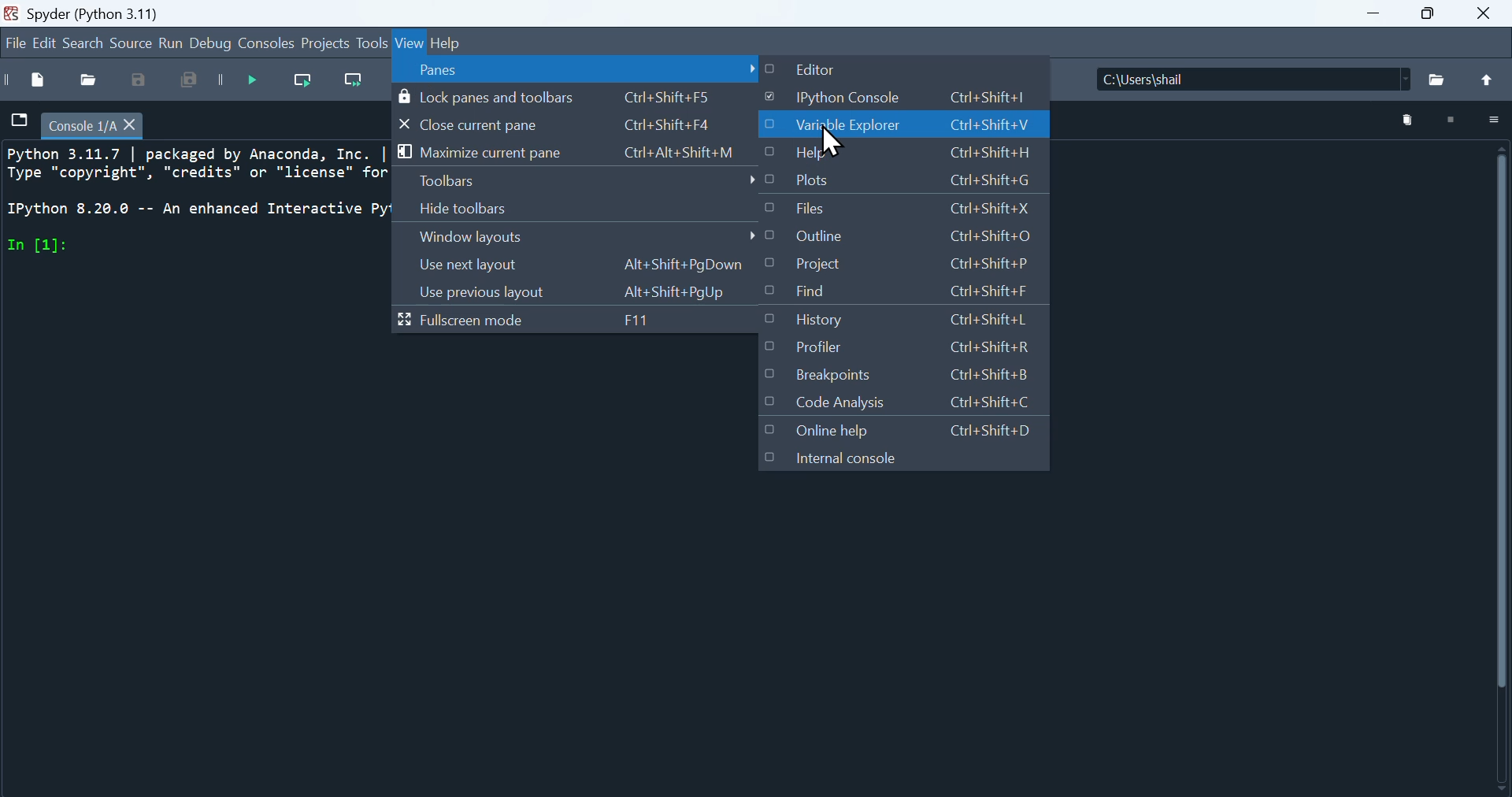 The width and height of the screenshot is (1512, 797). What do you see at coordinates (369, 44) in the screenshot?
I see `Tools` at bounding box center [369, 44].